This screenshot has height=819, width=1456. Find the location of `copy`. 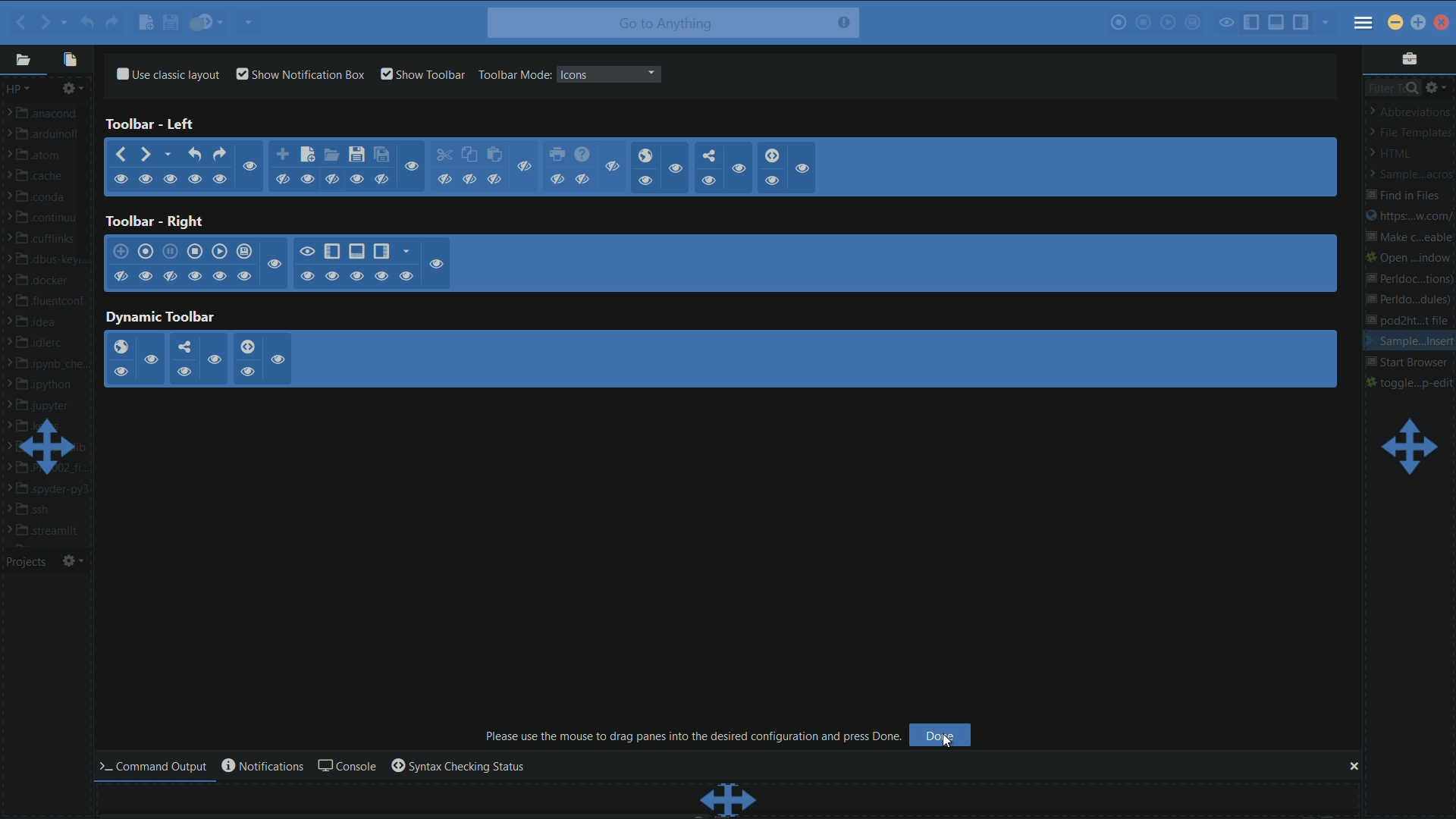

copy is located at coordinates (469, 155).